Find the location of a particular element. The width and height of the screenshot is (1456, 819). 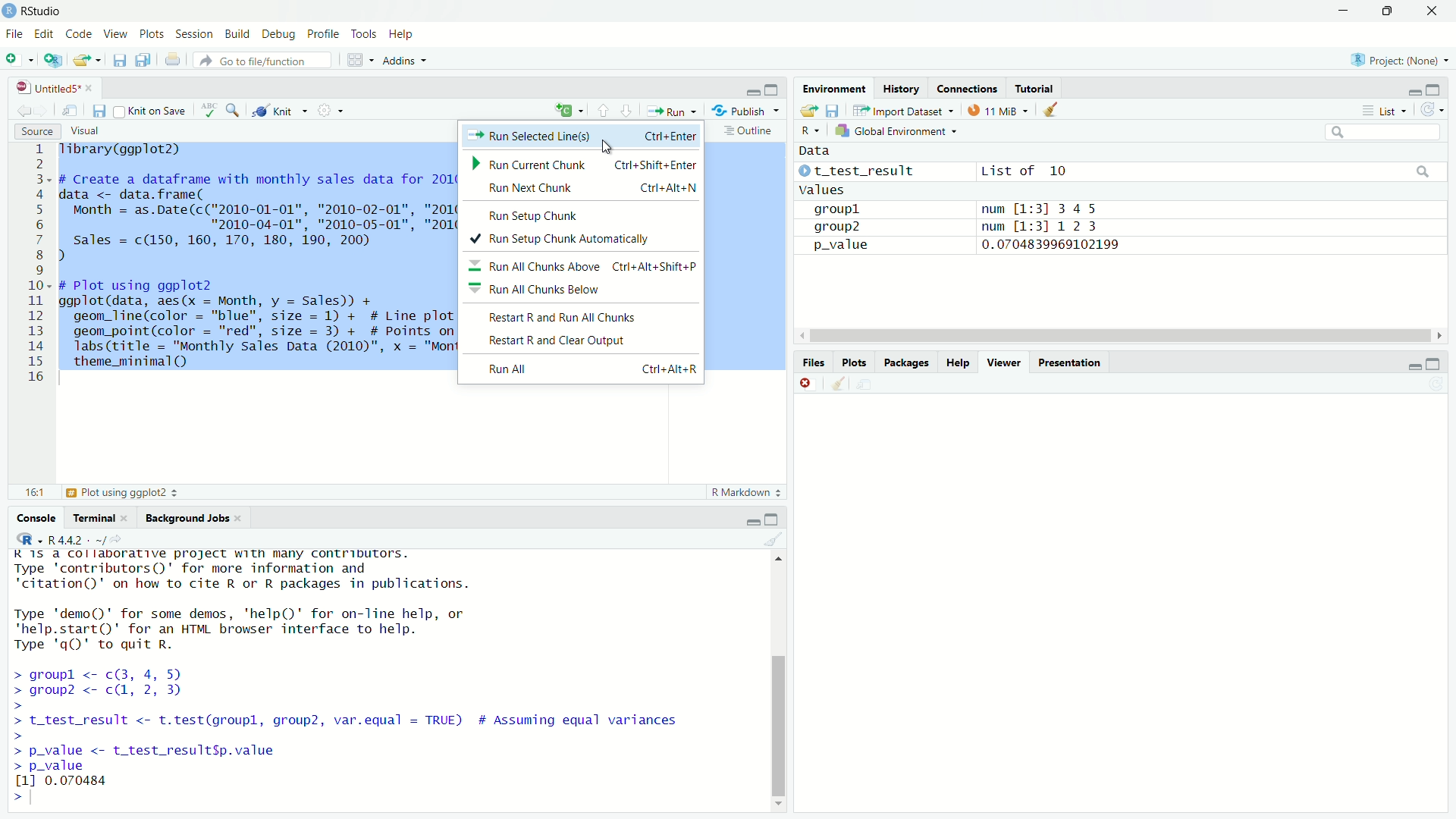

Tools is located at coordinates (364, 31).